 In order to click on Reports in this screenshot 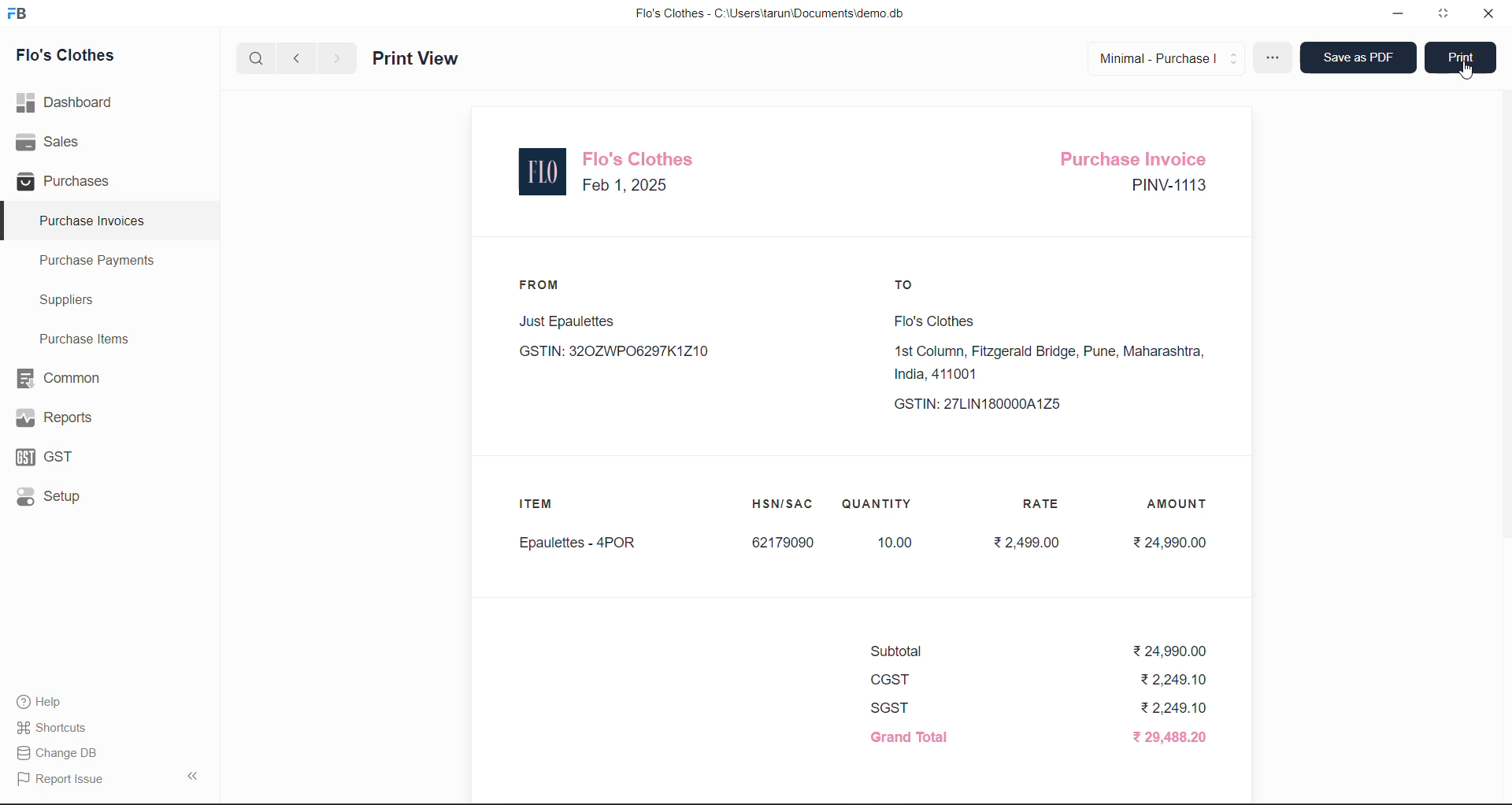, I will do `click(71, 417)`.